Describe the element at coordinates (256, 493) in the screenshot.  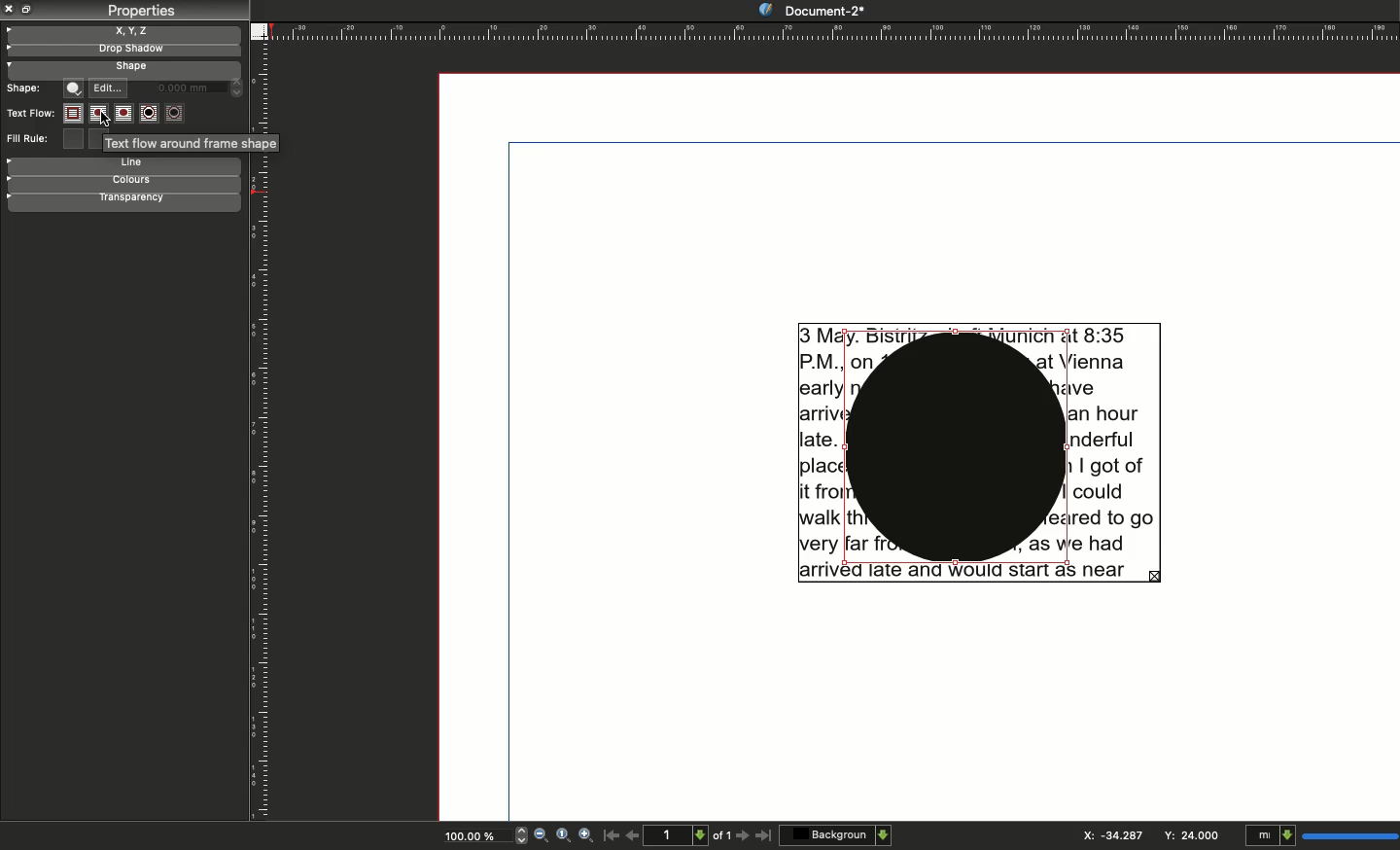
I see `Ruler` at that location.